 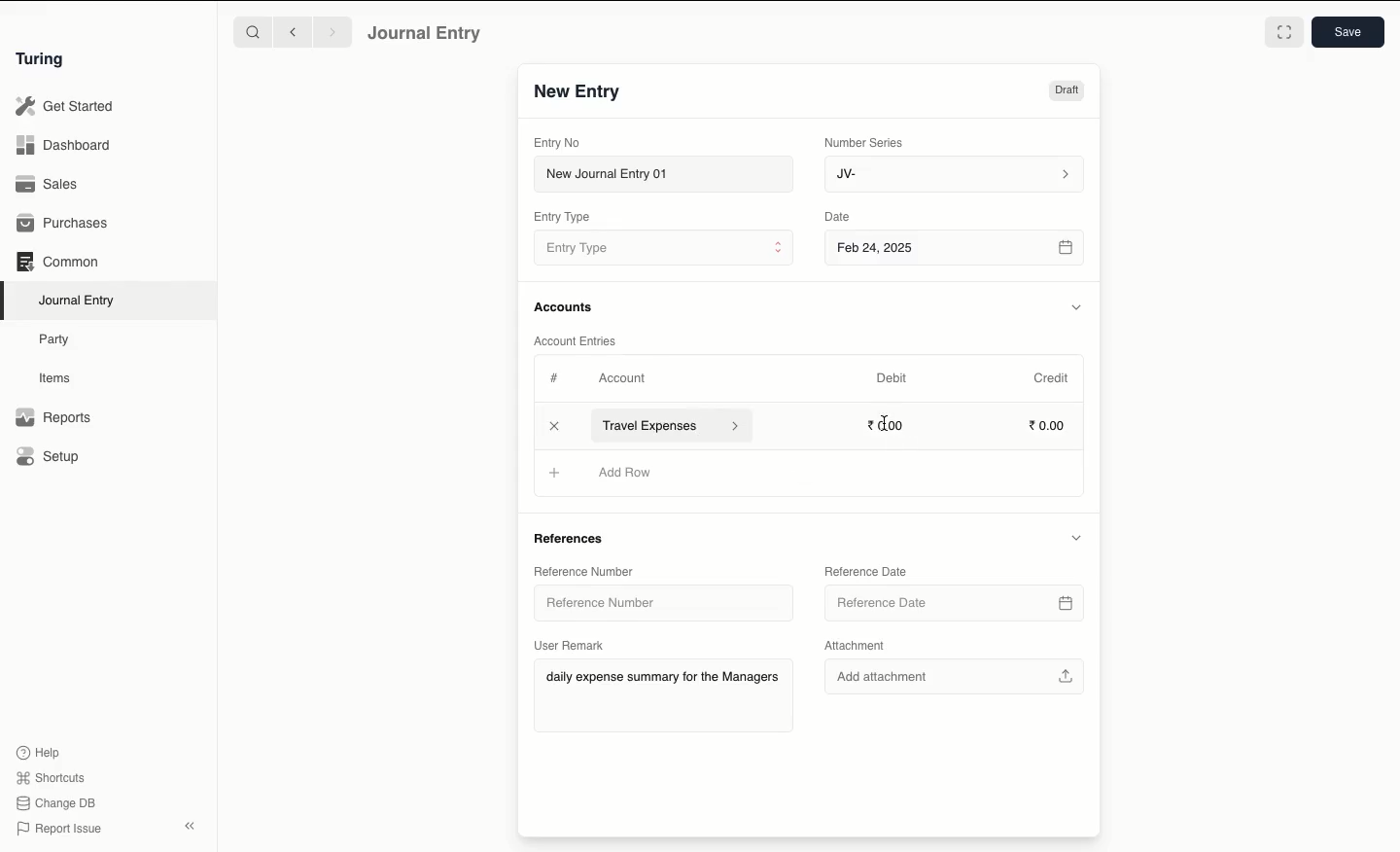 I want to click on New Entry, so click(x=578, y=92).